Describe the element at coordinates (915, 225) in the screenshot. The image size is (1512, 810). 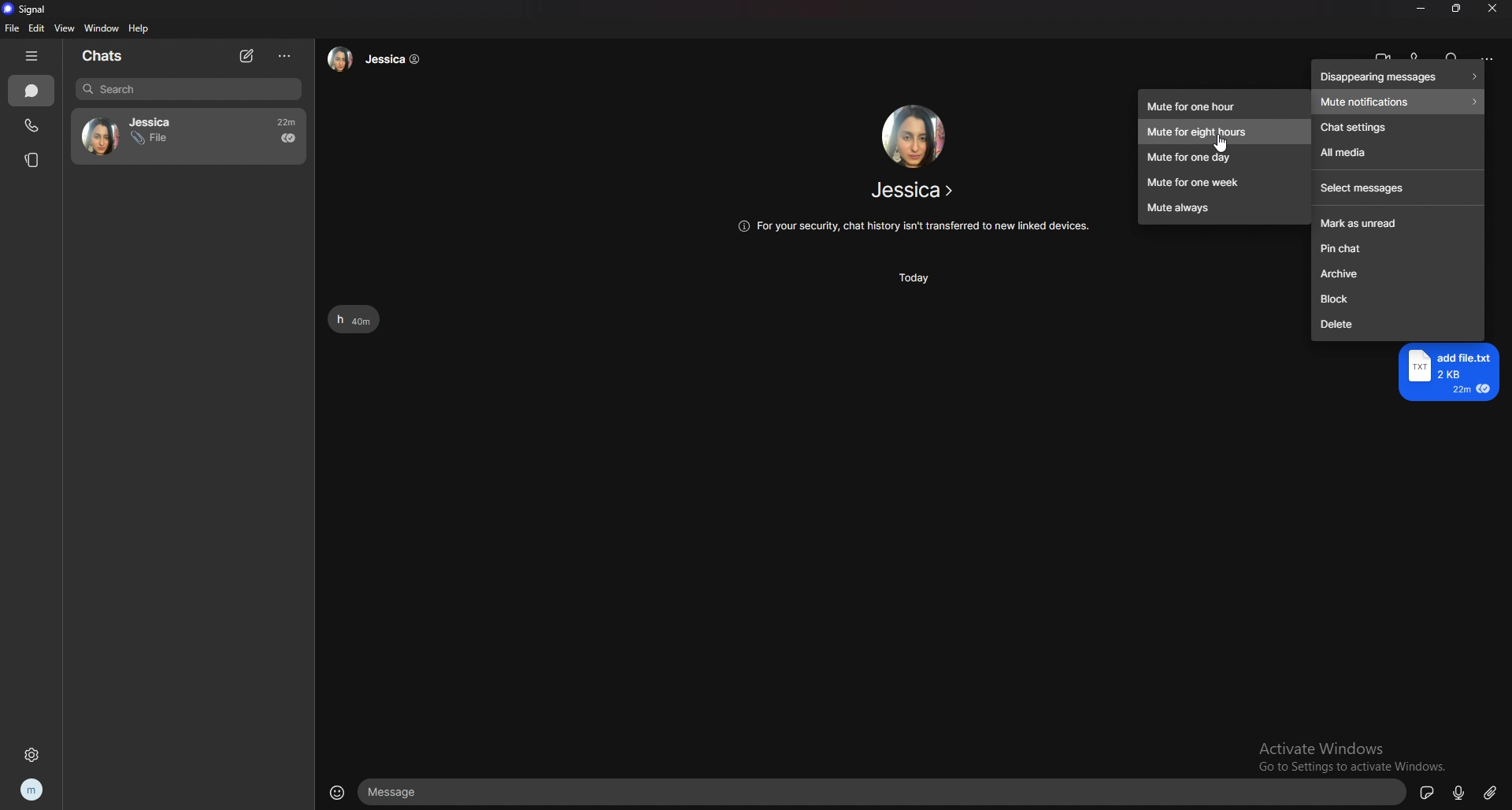
I see `(@ For your security, chat history isn't transferred to new linked devices.` at that location.